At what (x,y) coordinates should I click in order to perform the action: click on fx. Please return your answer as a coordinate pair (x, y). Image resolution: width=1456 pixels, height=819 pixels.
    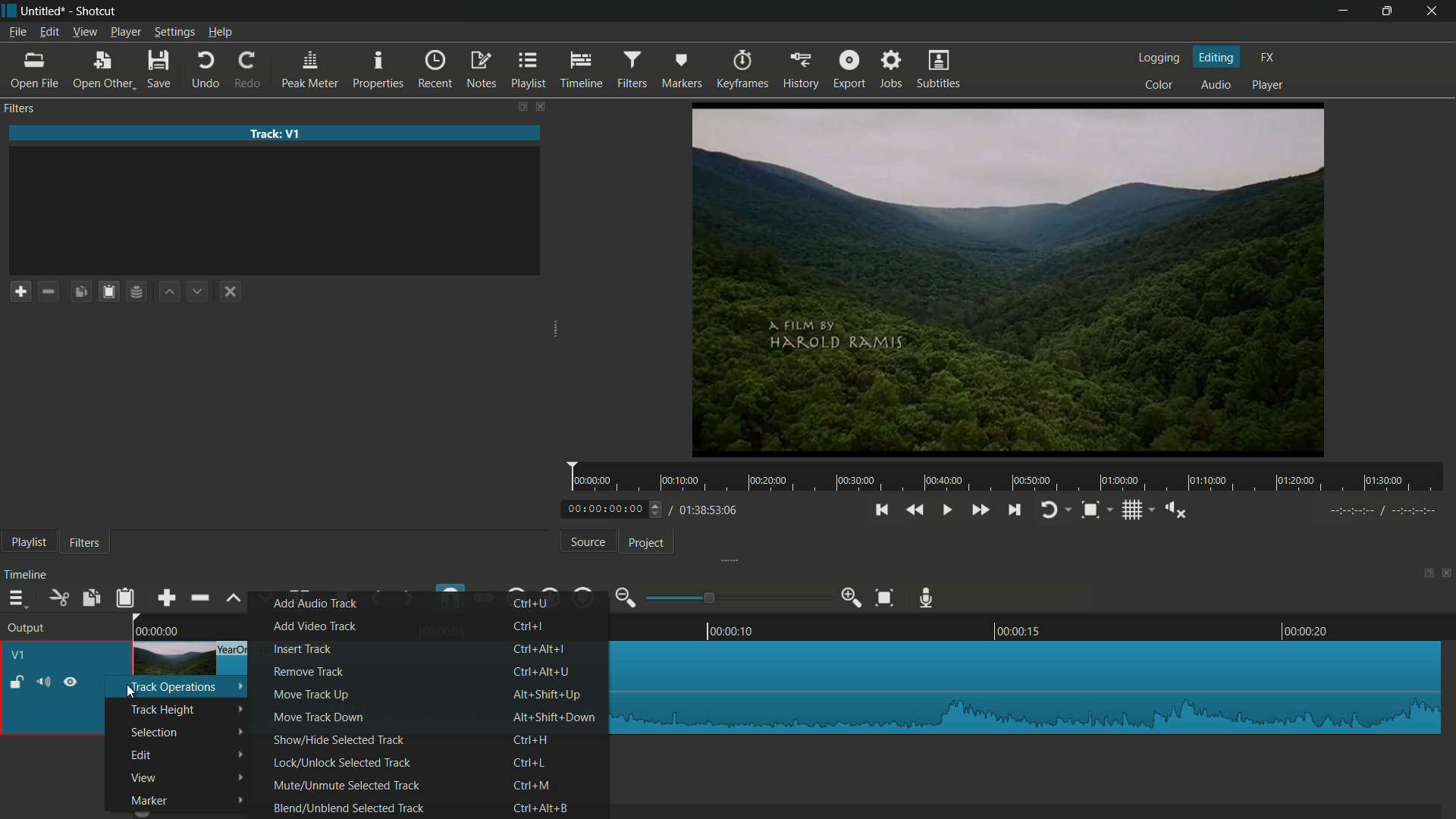
    Looking at the image, I should click on (1269, 58).